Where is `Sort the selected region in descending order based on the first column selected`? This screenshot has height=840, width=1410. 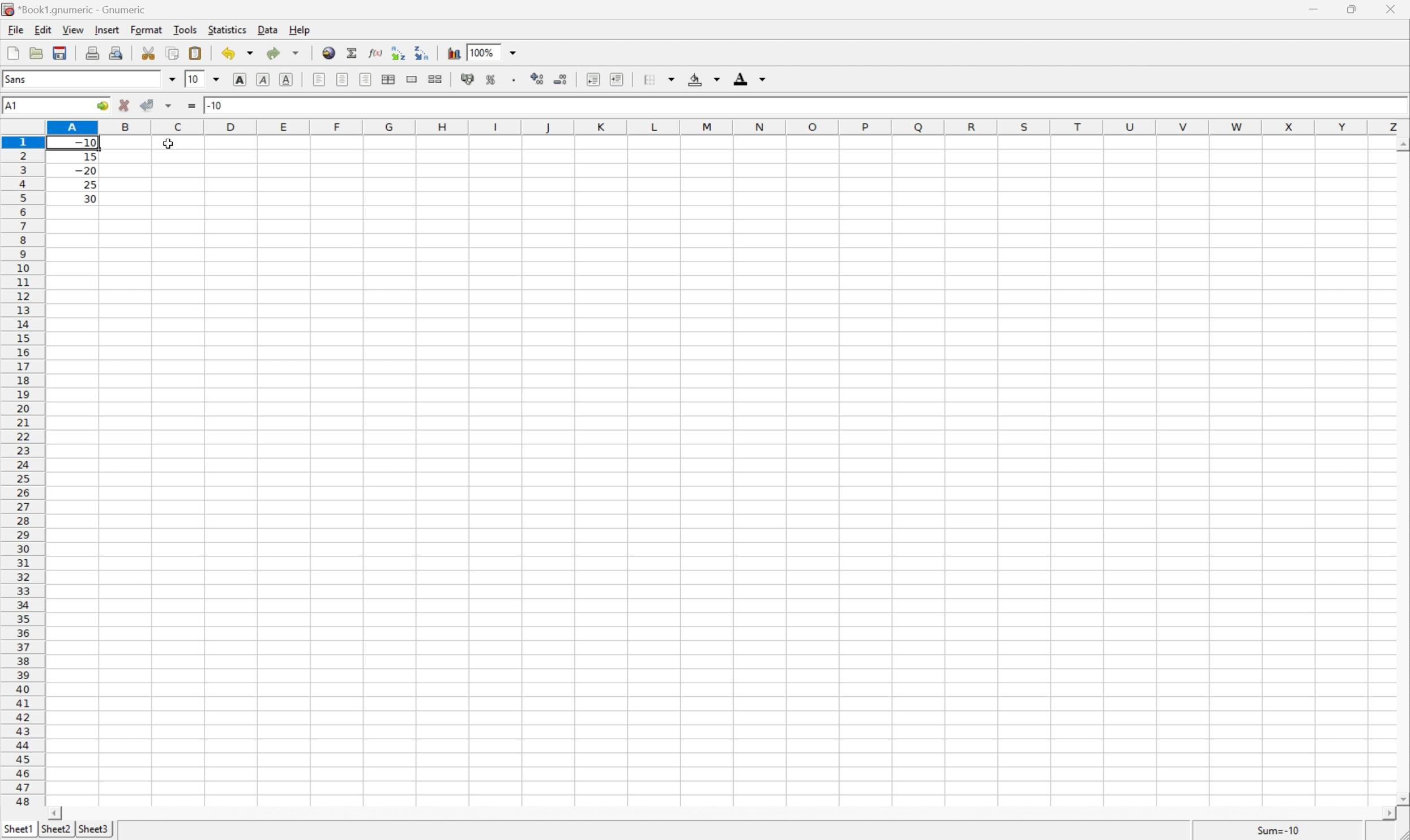 Sort the selected region in descending order based on the first column selected is located at coordinates (421, 52).